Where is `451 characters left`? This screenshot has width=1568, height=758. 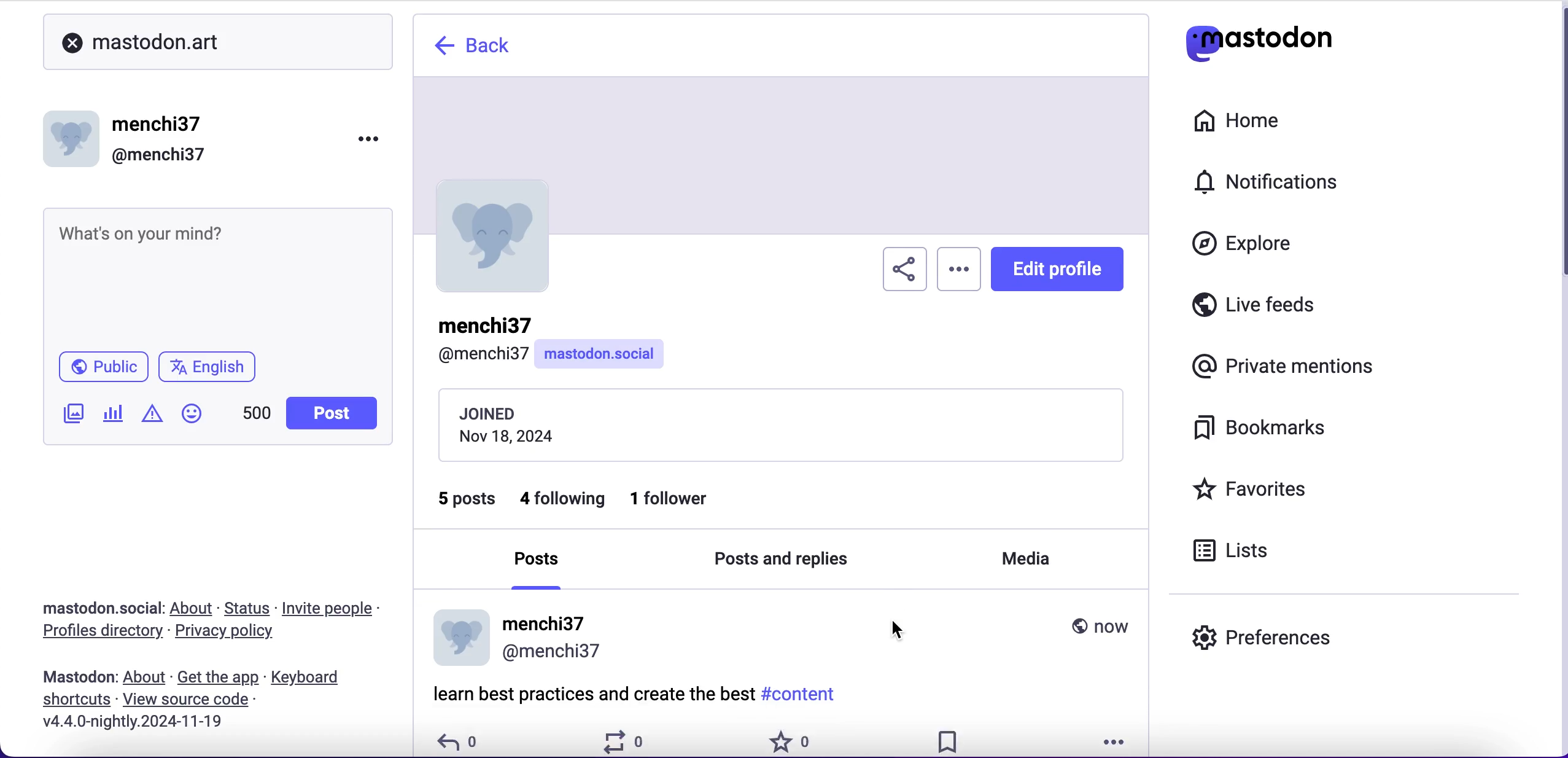 451 characters left is located at coordinates (257, 417).